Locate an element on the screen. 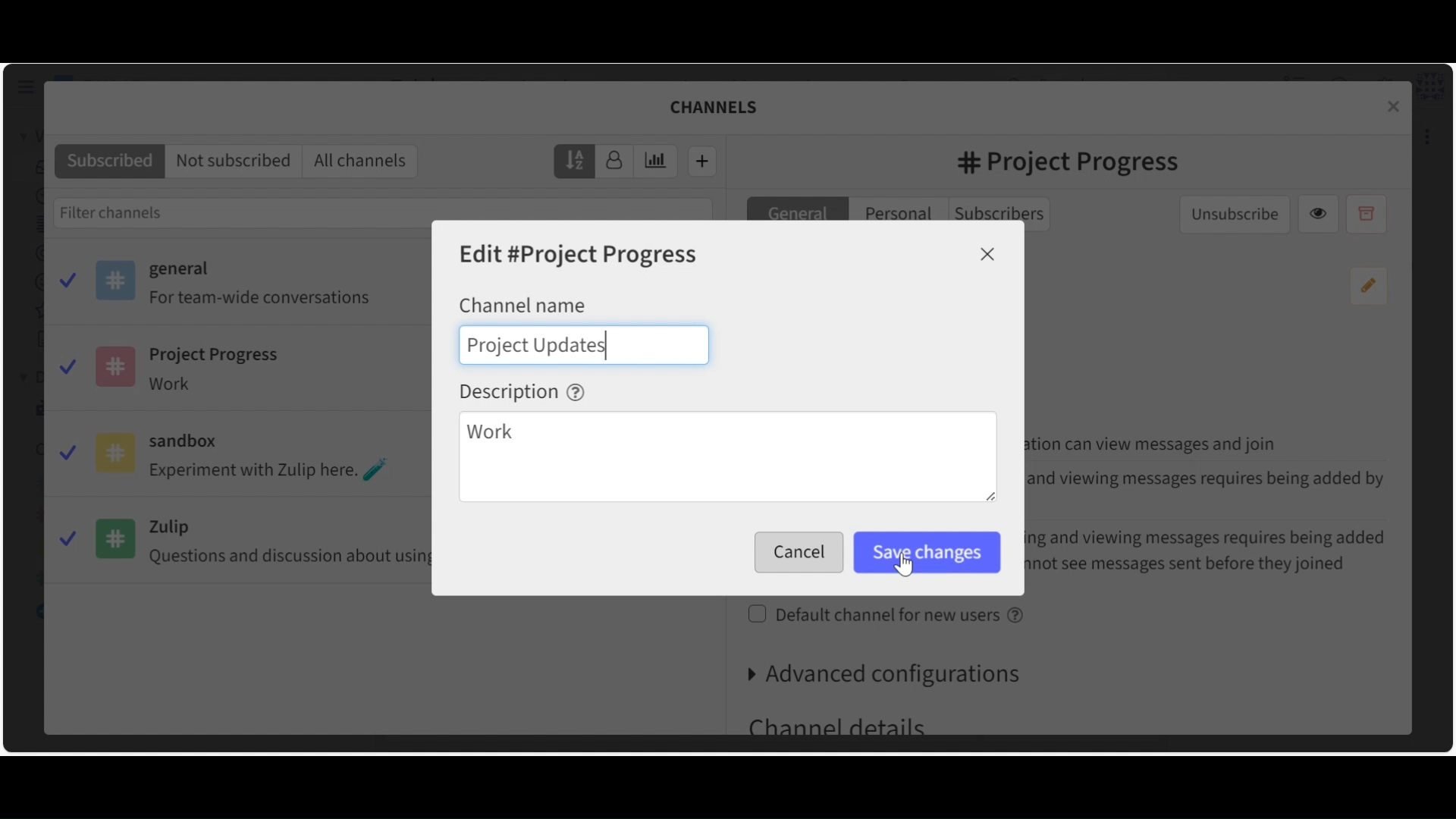  Description Field is located at coordinates (727, 459).